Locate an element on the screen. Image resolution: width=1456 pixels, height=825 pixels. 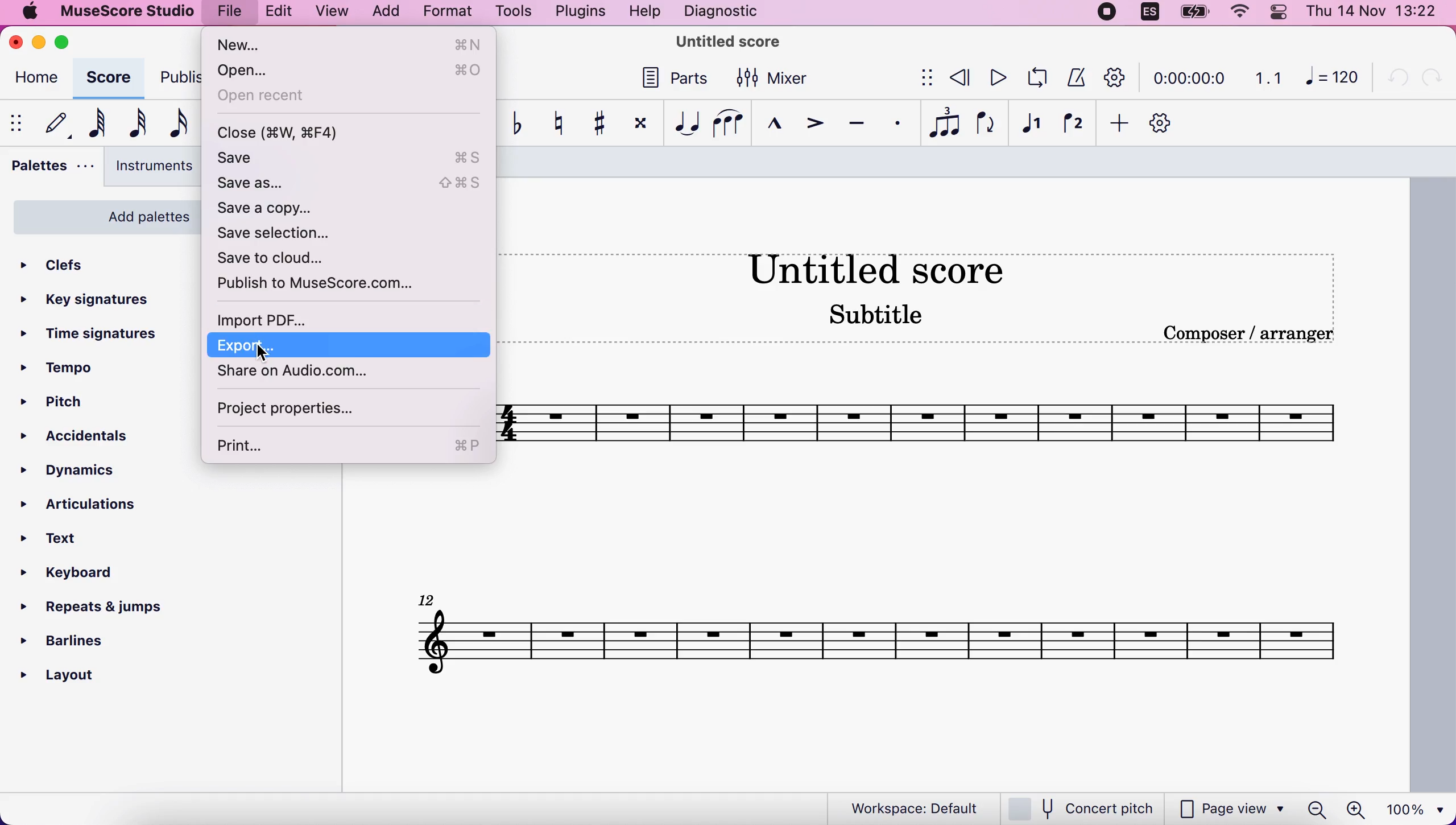
mac logo is located at coordinates (29, 13).